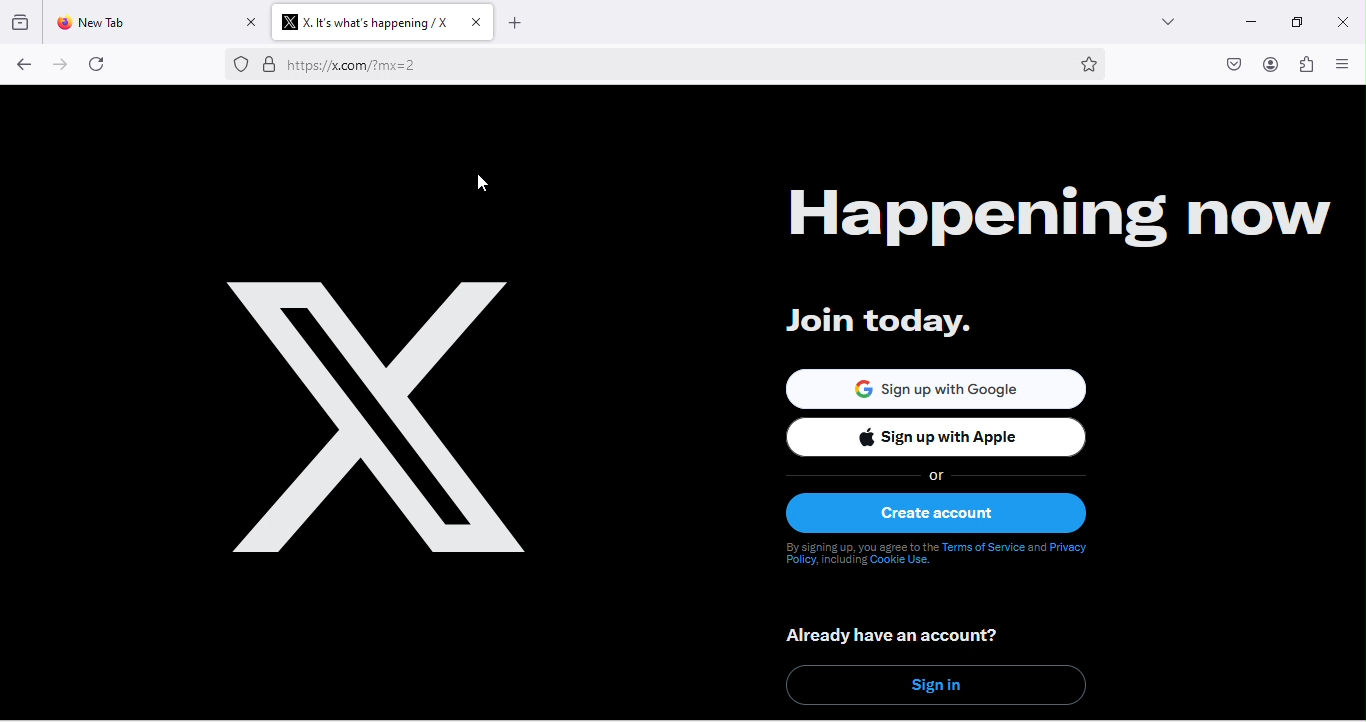  What do you see at coordinates (1346, 67) in the screenshot?
I see `view` at bounding box center [1346, 67].